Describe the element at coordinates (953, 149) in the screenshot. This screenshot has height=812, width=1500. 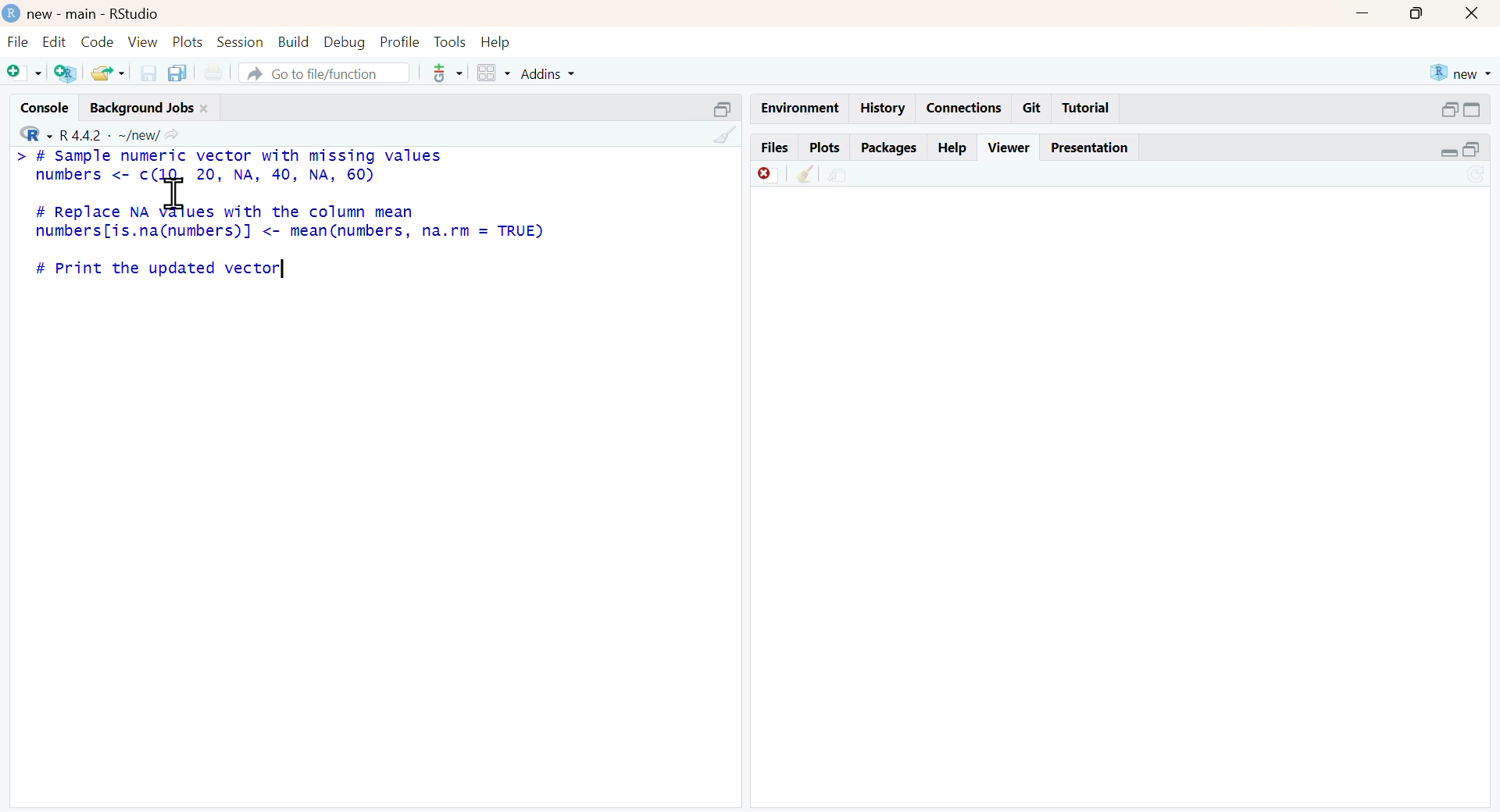
I see `help` at that location.